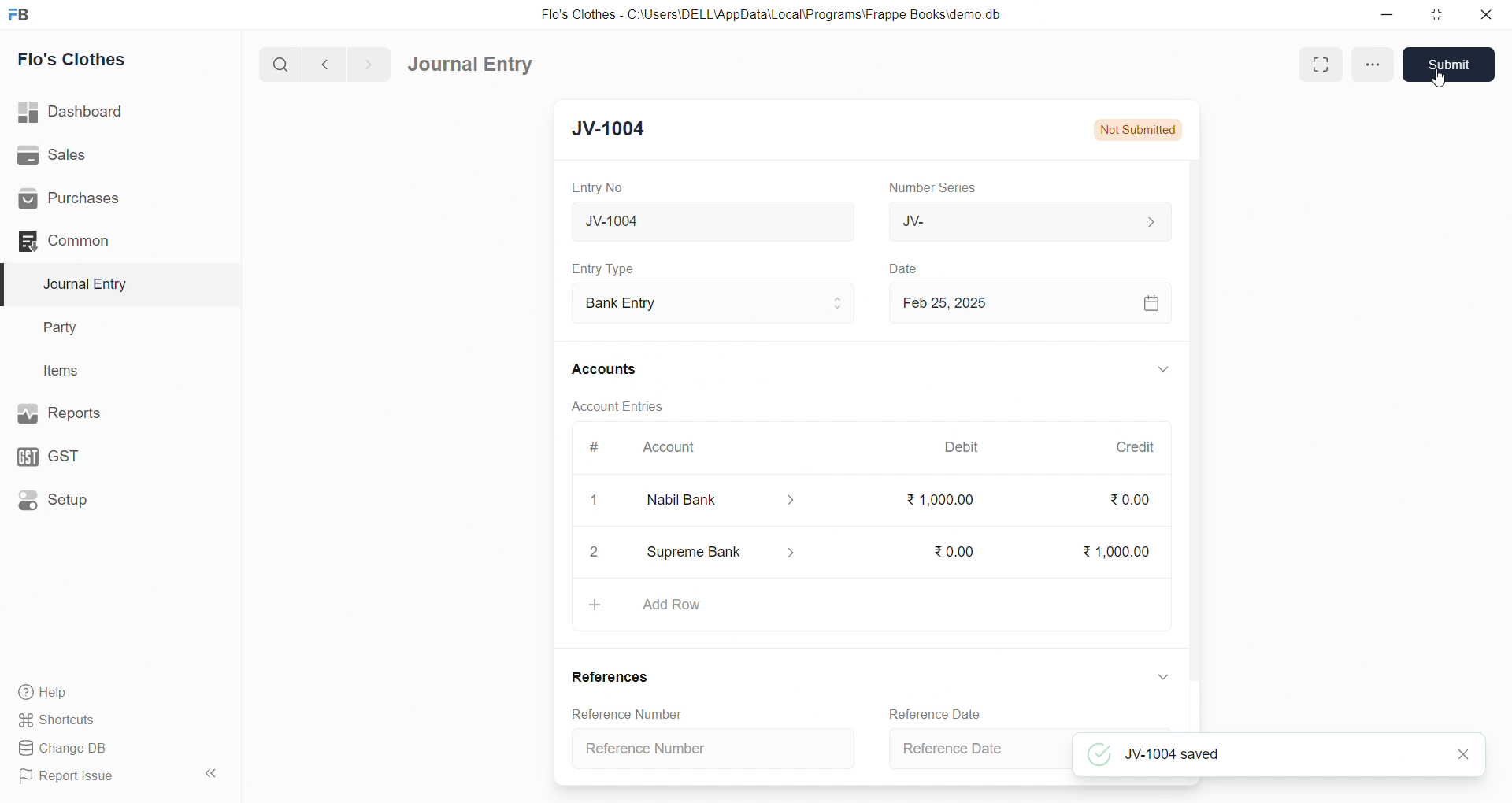 Image resolution: width=1512 pixels, height=803 pixels. I want to click on Expand/collapse, so click(1156, 677).